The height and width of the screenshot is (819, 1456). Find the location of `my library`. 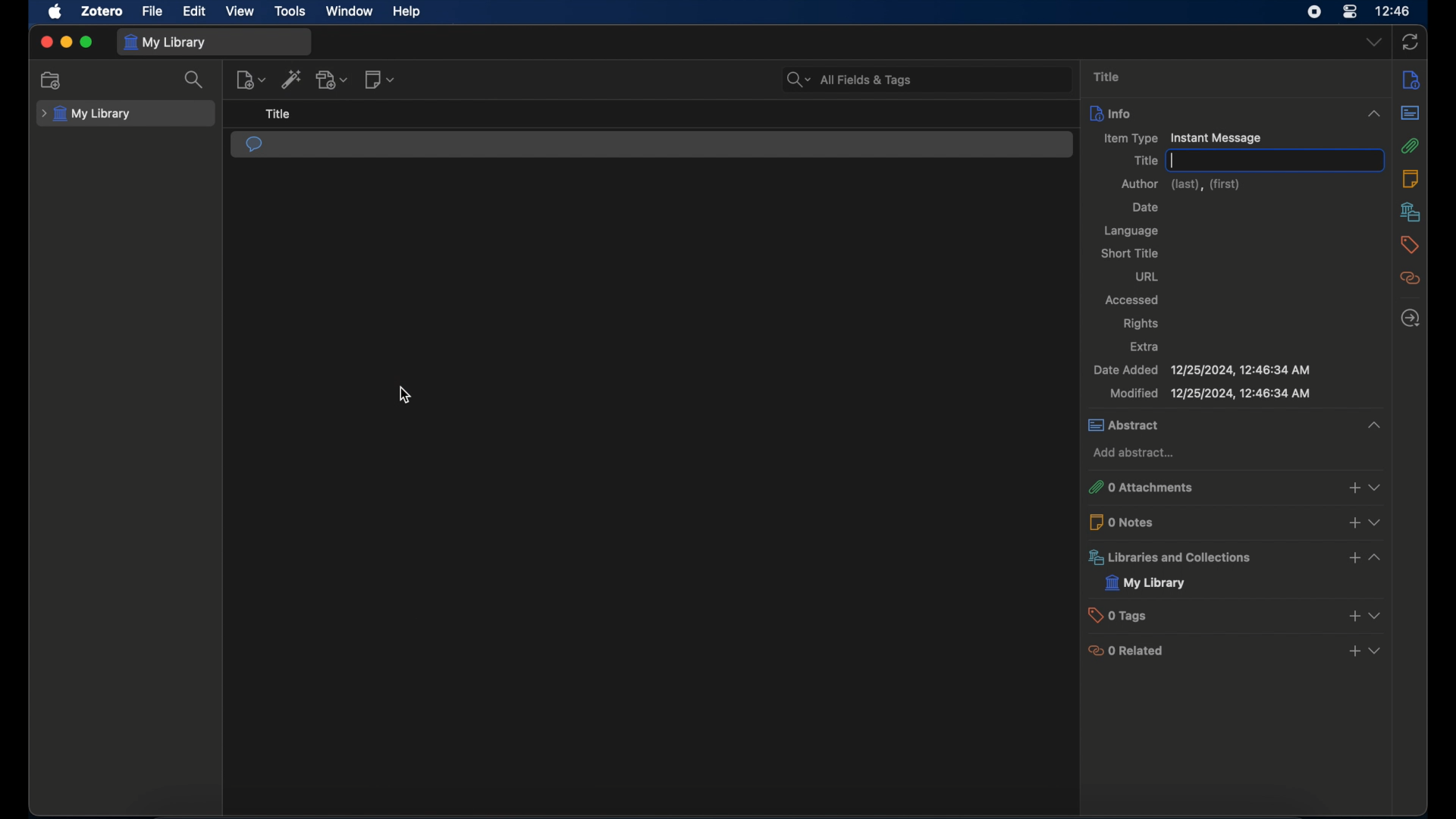

my library is located at coordinates (1144, 583).